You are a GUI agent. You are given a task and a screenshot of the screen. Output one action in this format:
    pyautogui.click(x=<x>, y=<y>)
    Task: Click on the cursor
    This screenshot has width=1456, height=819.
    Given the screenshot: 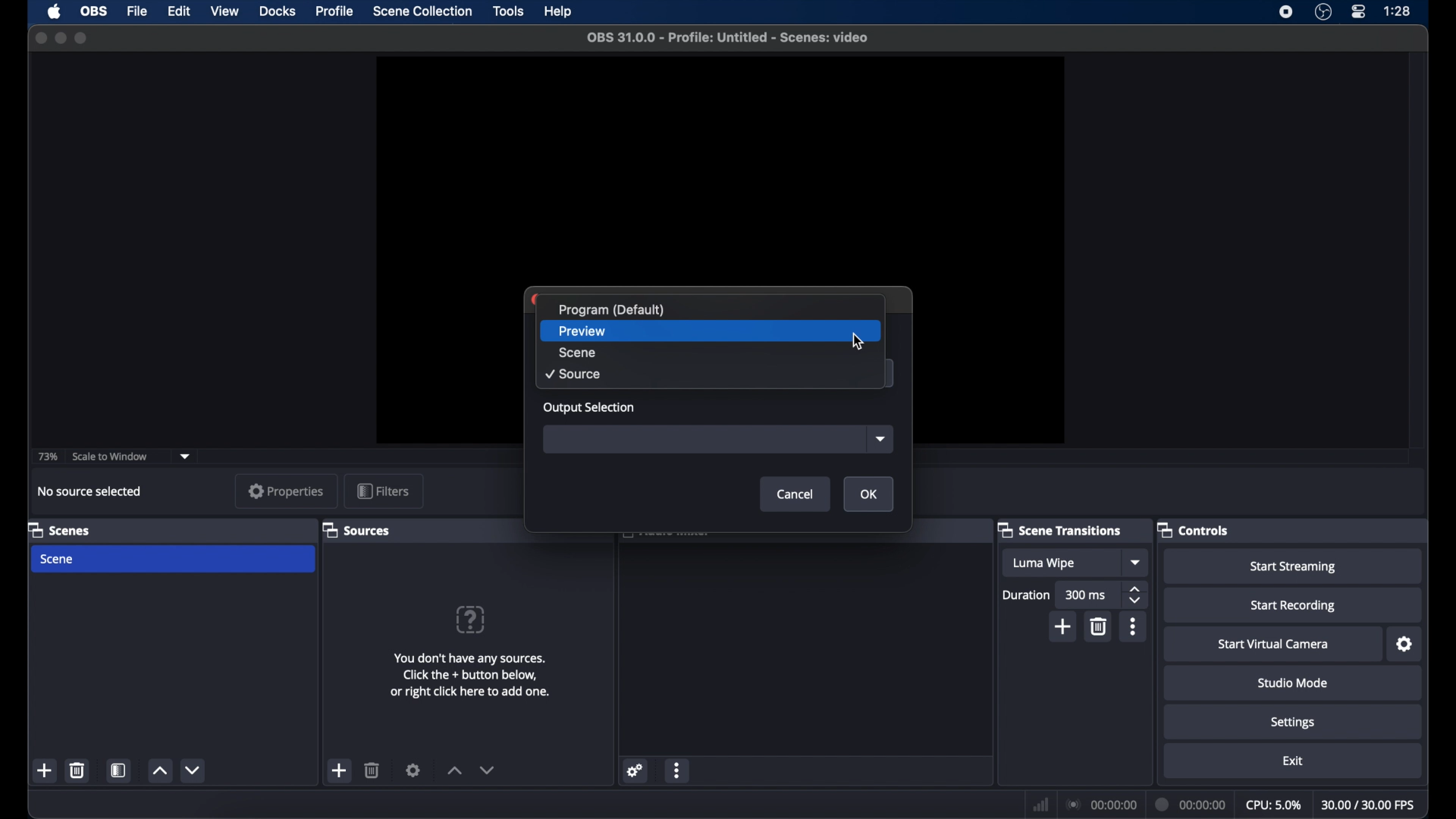 What is the action you would take?
    pyautogui.click(x=858, y=342)
    